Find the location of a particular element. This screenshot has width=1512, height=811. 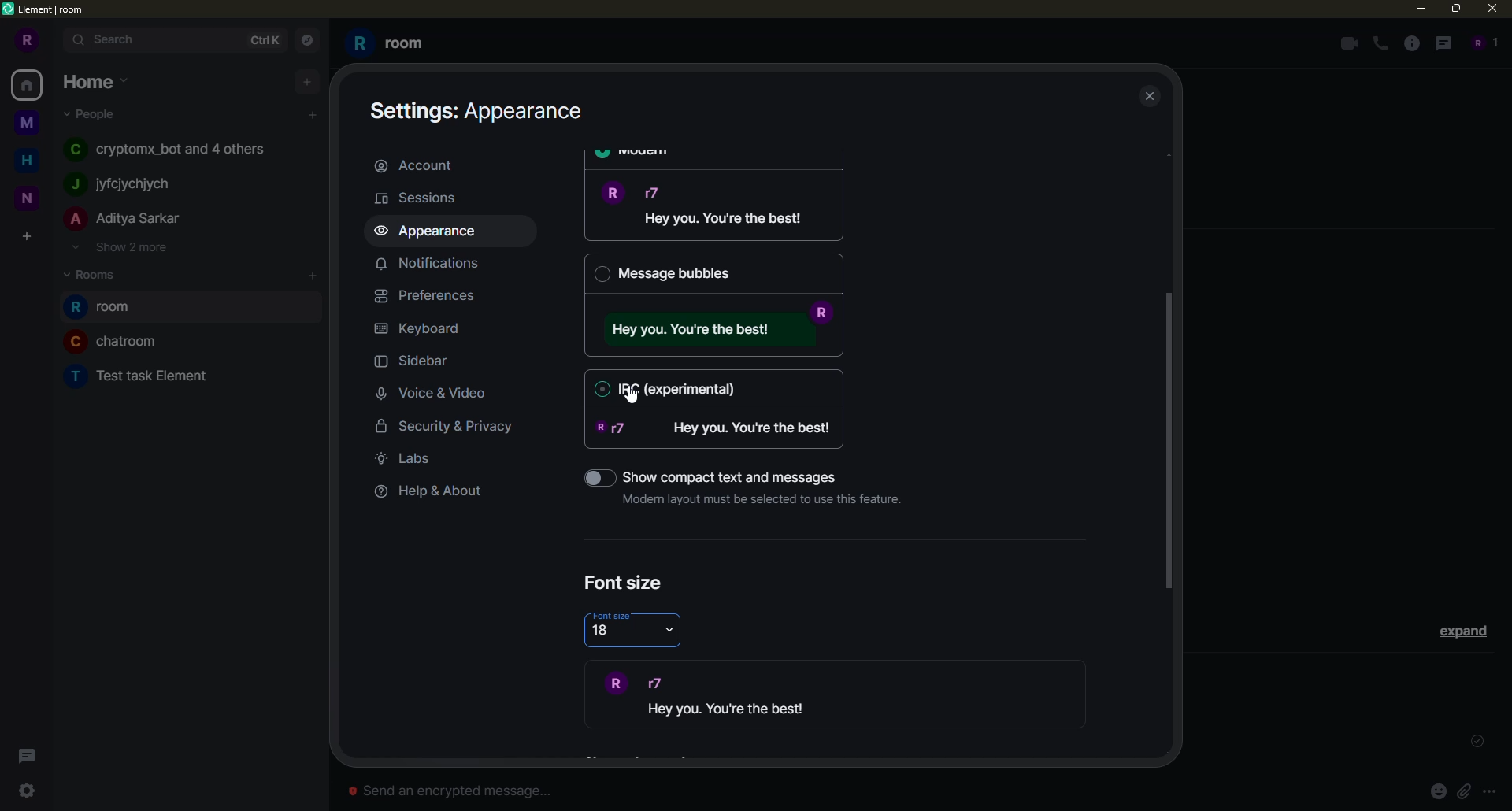

voice & video is located at coordinates (435, 393).